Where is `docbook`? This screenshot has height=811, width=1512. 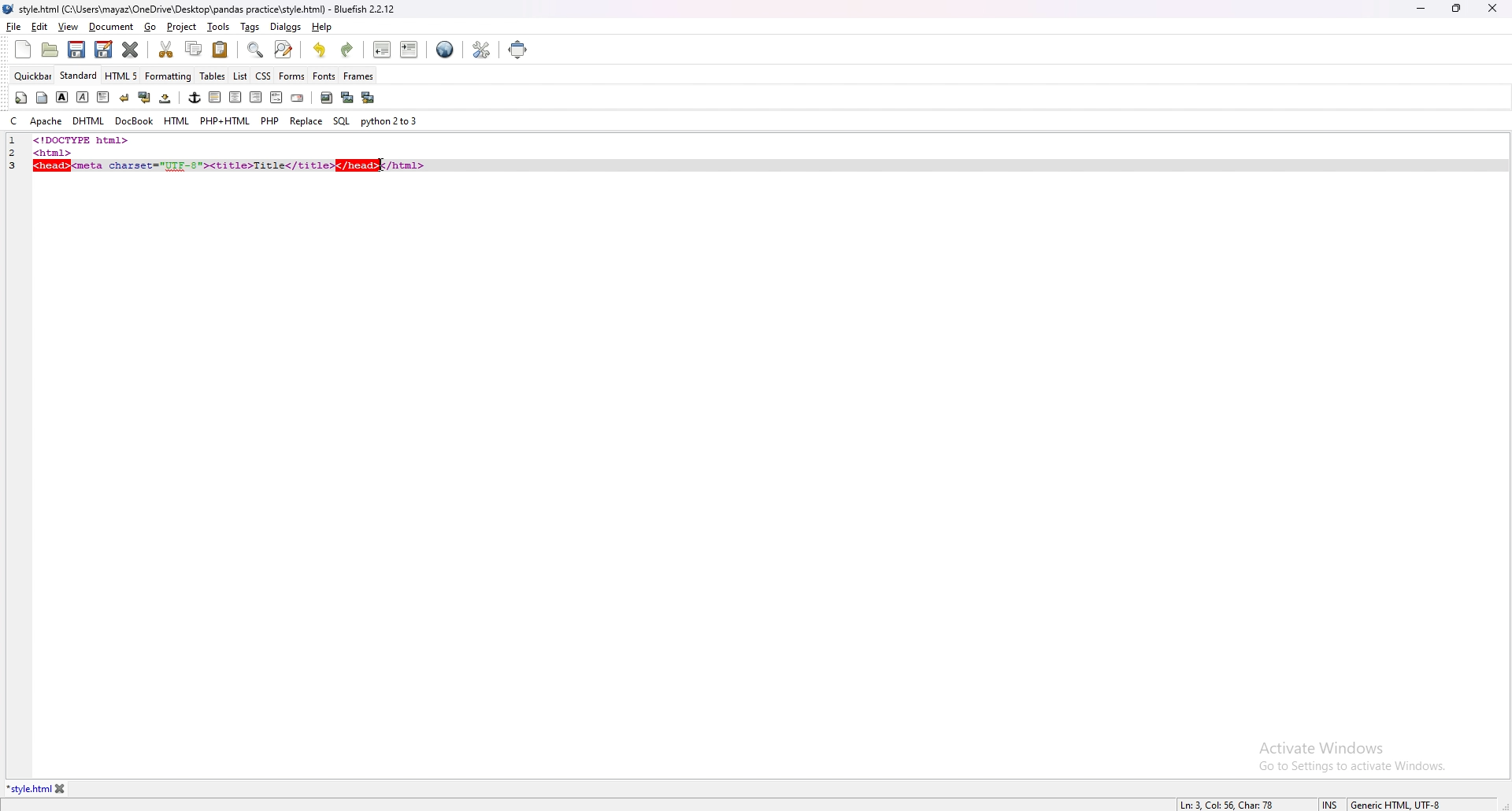
docbook is located at coordinates (134, 121).